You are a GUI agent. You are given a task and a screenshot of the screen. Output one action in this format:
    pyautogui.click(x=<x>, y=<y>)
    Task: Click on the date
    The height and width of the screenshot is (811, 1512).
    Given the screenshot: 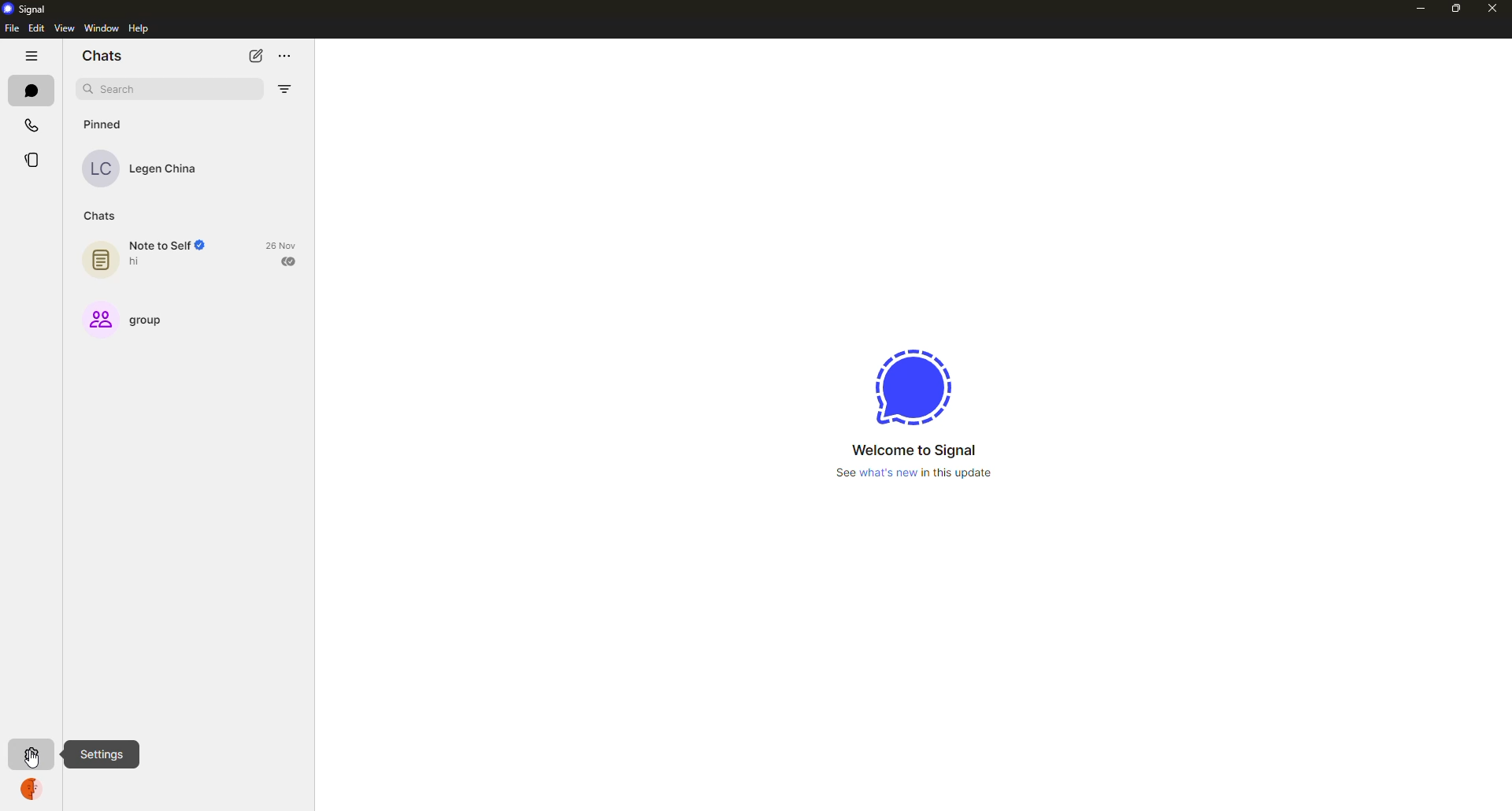 What is the action you would take?
    pyautogui.click(x=283, y=244)
    